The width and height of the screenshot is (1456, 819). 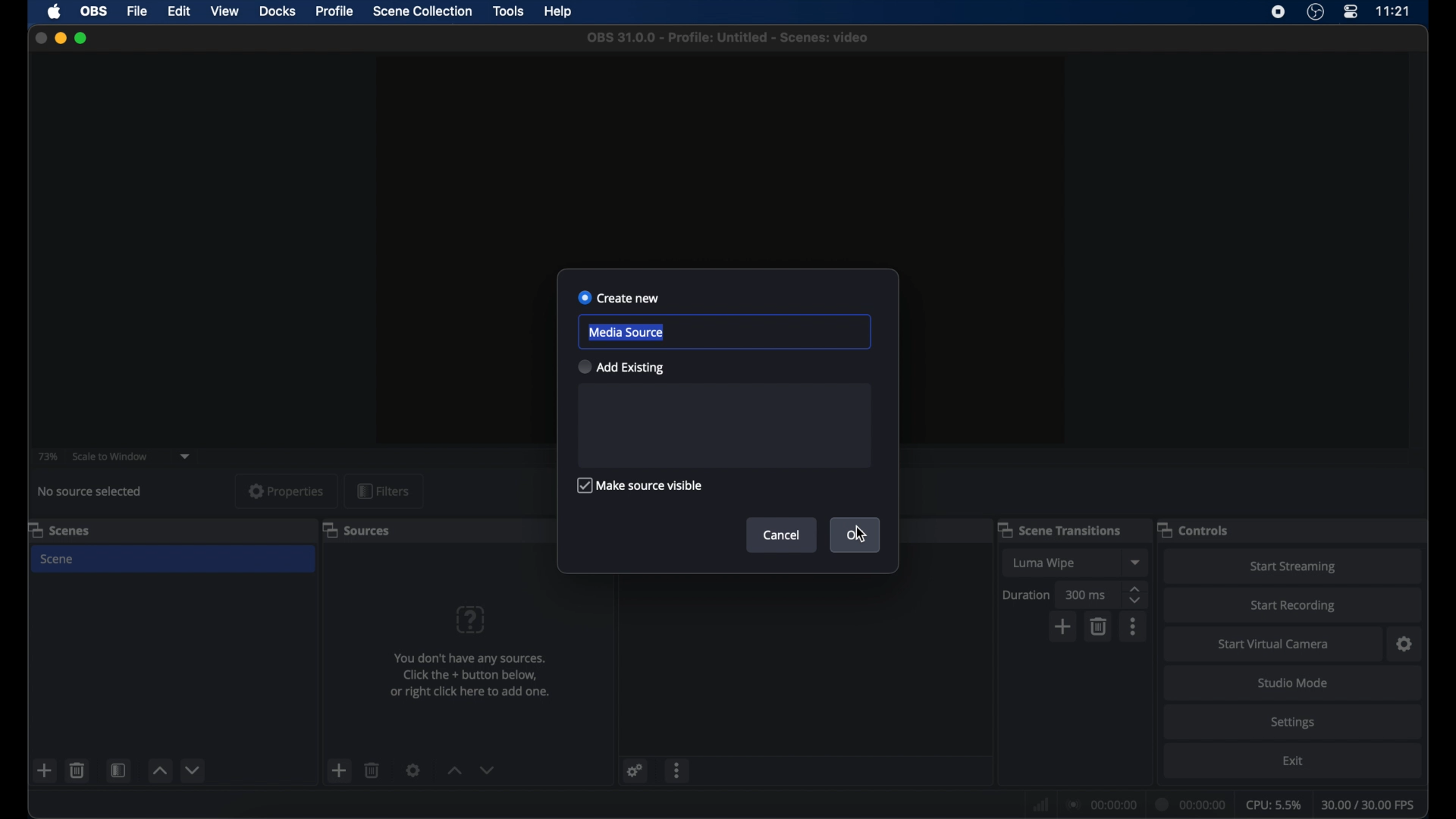 What do you see at coordinates (1275, 645) in the screenshot?
I see `start virtual camera` at bounding box center [1275, 645].